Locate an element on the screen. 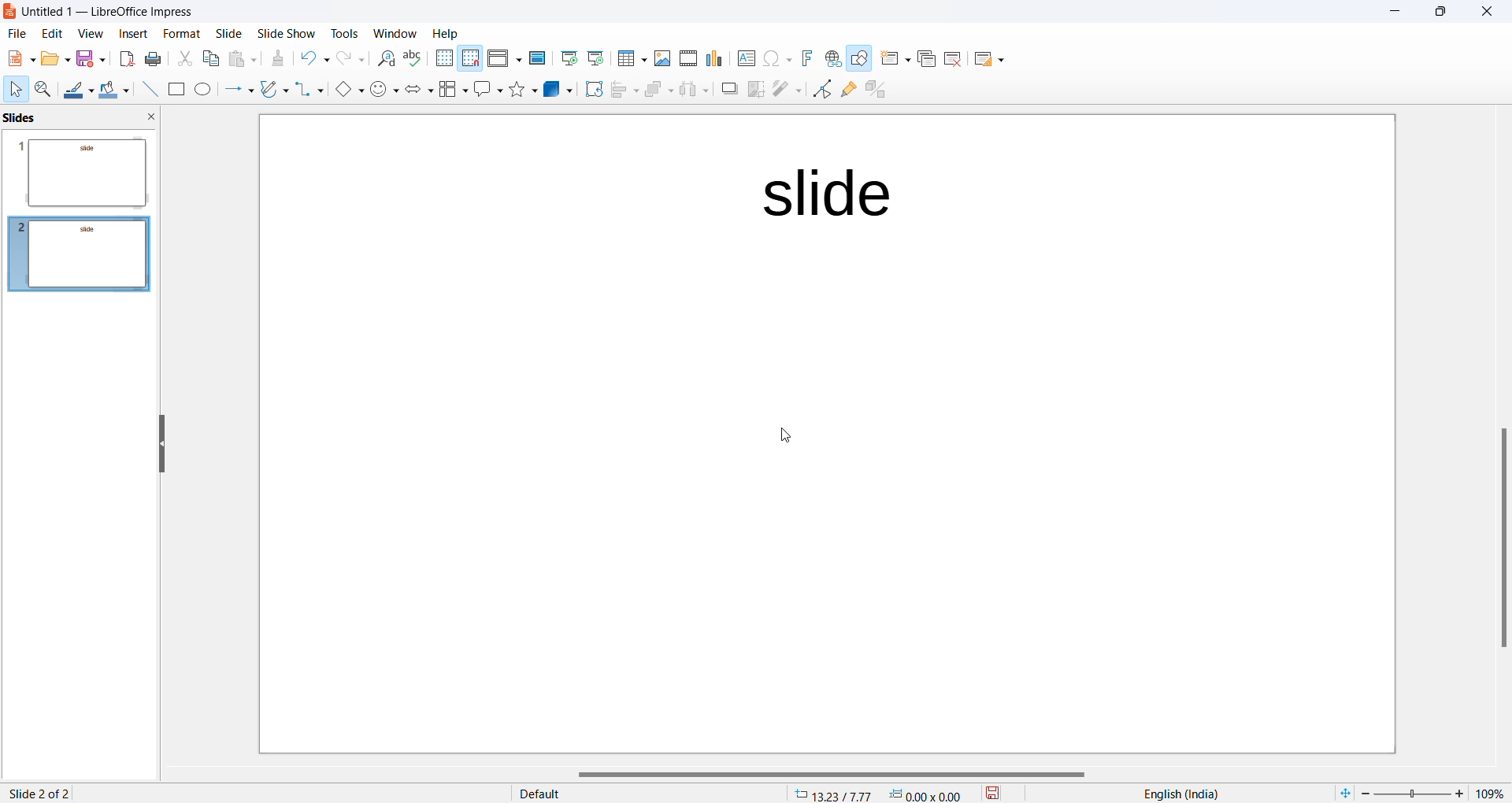 The height and width of the screenshot is (803, 1512). Print is located at coordinates (155, 58).